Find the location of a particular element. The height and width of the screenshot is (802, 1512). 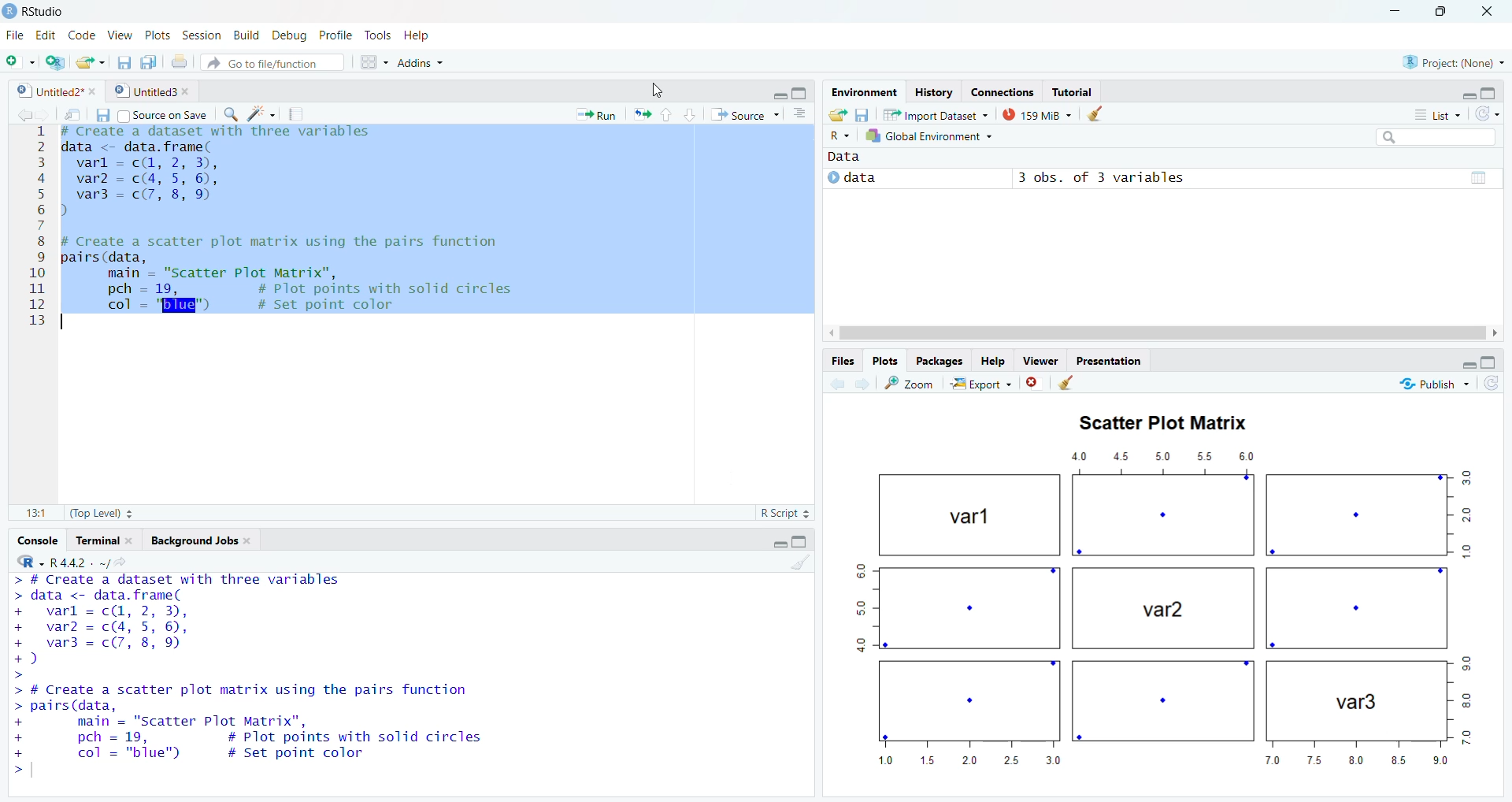

© | Untitled2* * is located at coordinates (51, 89).